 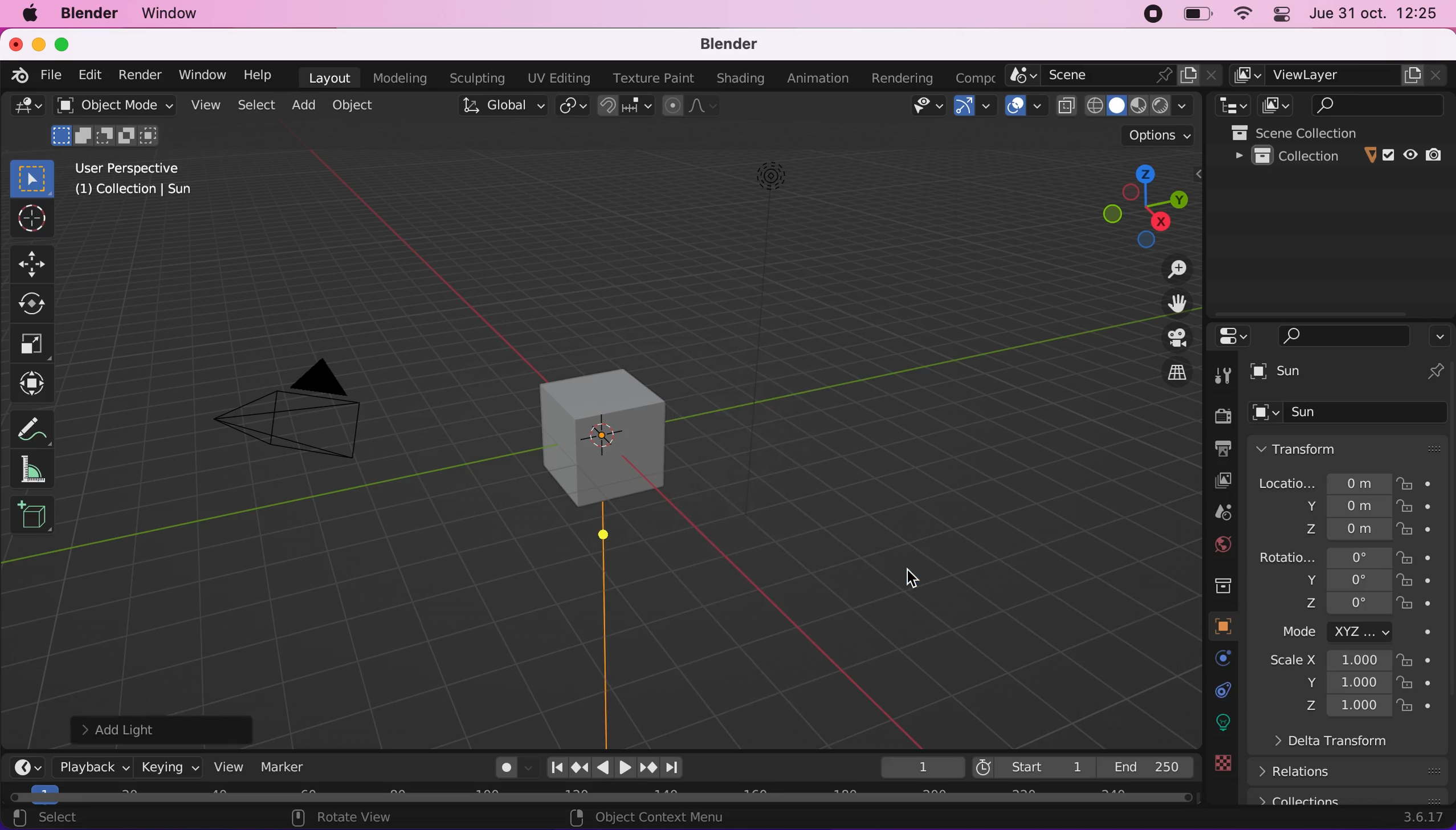 What do you see at coordinates (1218, 690) in the screenshot?
I see `particles` at bounding box center [1218, 690].